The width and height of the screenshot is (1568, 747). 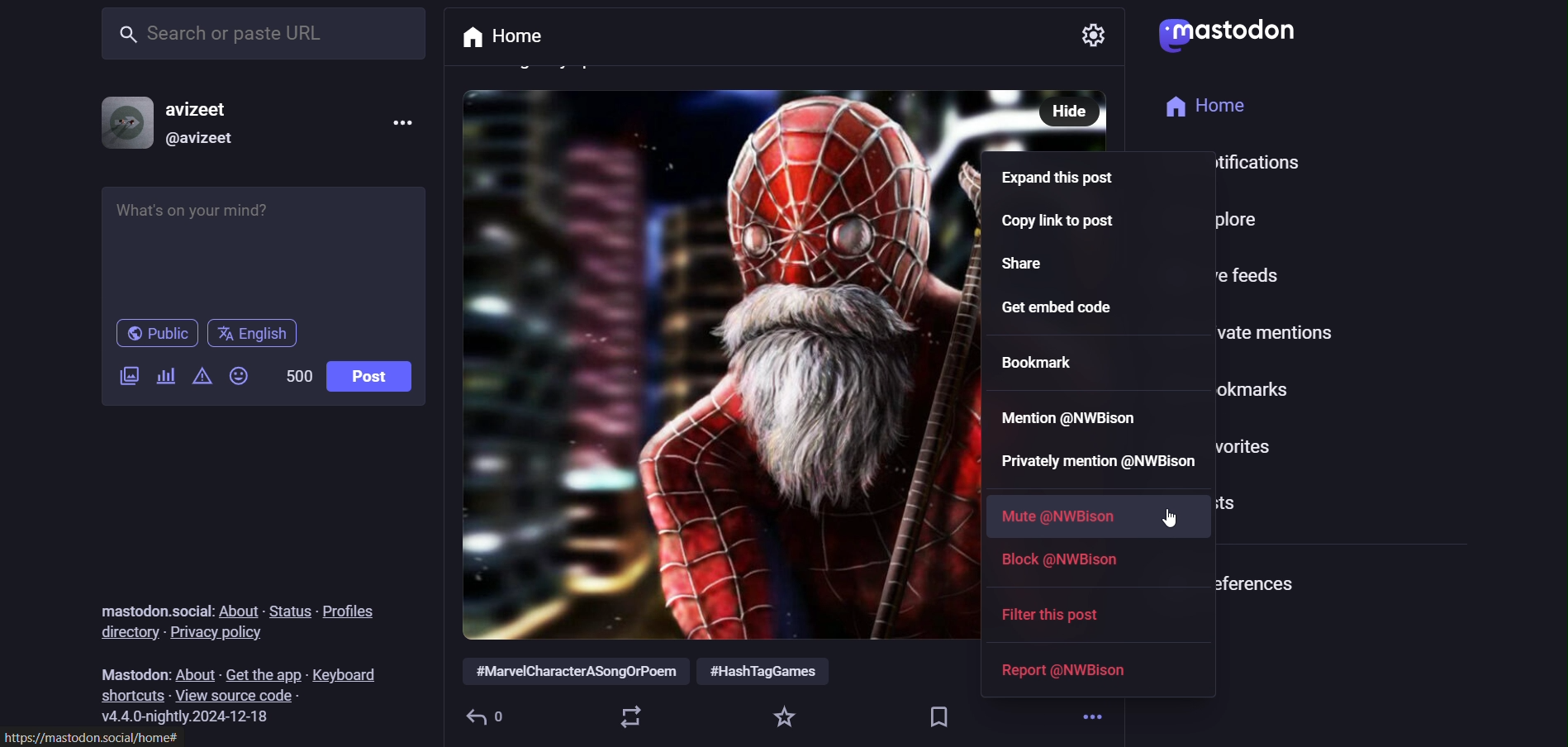 I want to click on profile picture, so click(x=118, y=124).